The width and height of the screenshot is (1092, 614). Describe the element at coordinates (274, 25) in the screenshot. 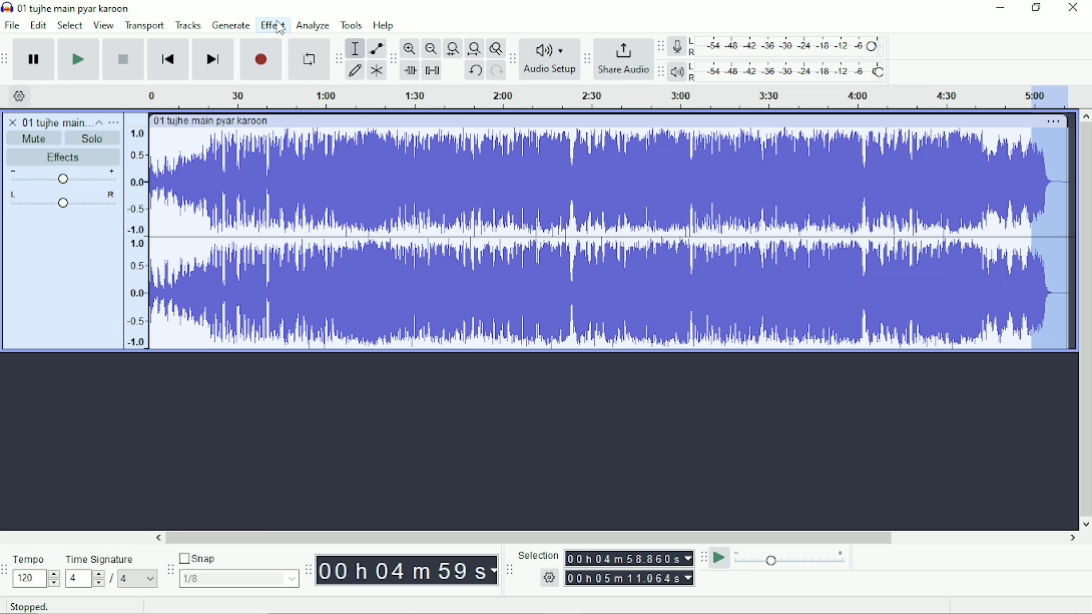

I see `Effect` at that location.